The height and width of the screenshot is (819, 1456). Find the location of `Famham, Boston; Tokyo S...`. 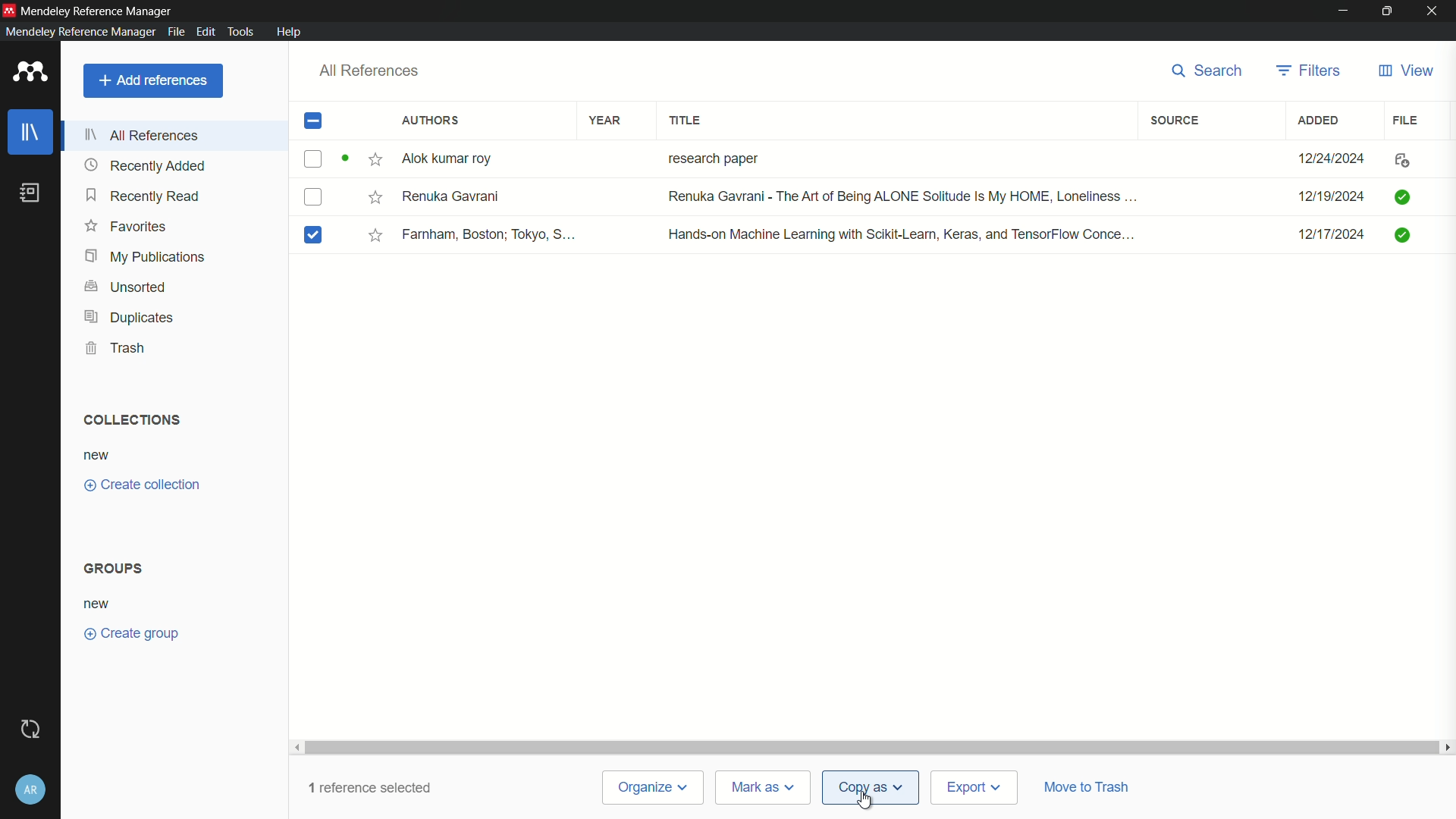

Famham, Boston; Tokyo S... is located at coordinates (492, 234).